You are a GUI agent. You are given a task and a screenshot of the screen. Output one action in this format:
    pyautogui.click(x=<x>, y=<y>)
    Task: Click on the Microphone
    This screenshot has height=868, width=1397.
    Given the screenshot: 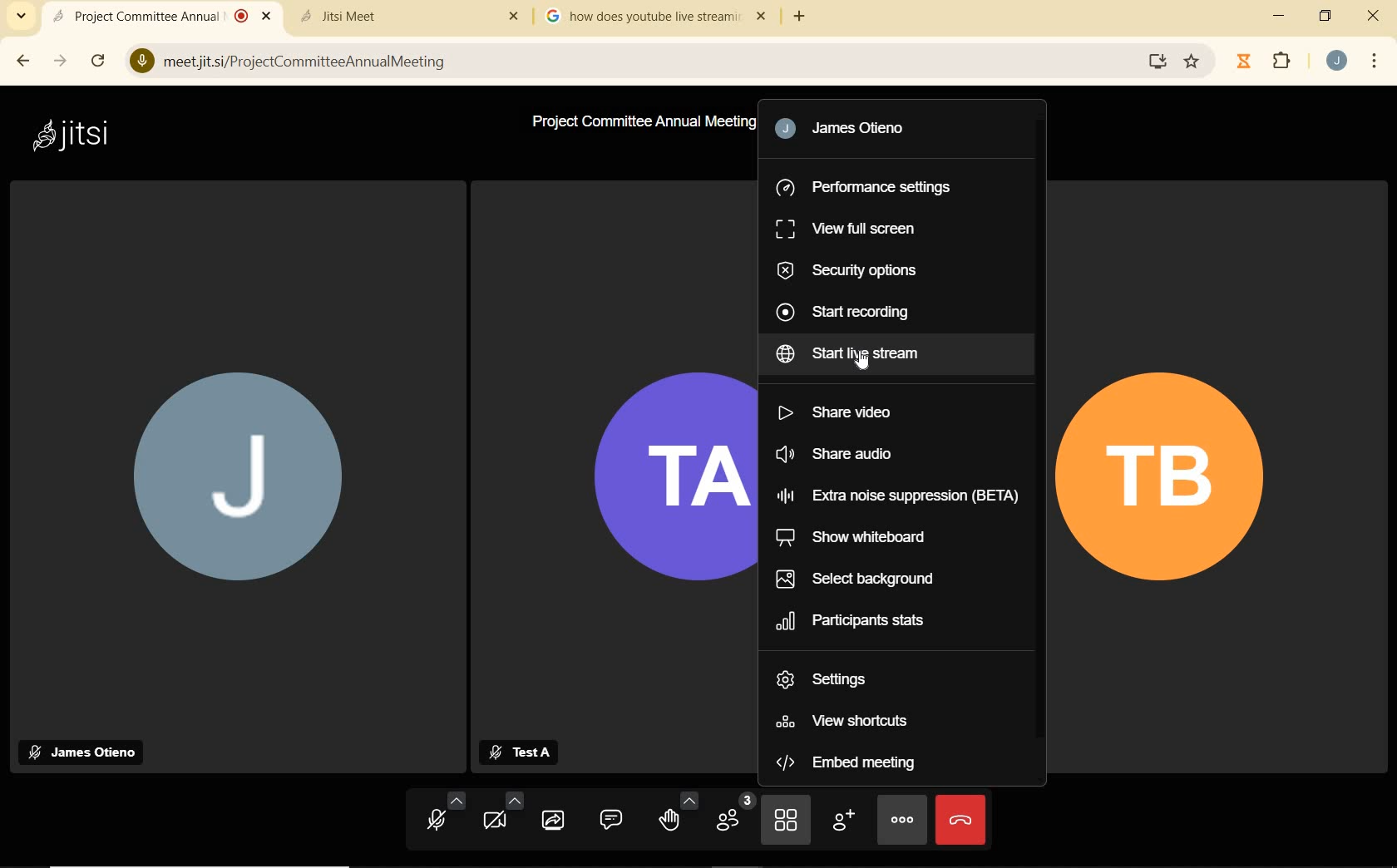 What is the action you would take?
    pyautogui.click(x=141, y=62)
    